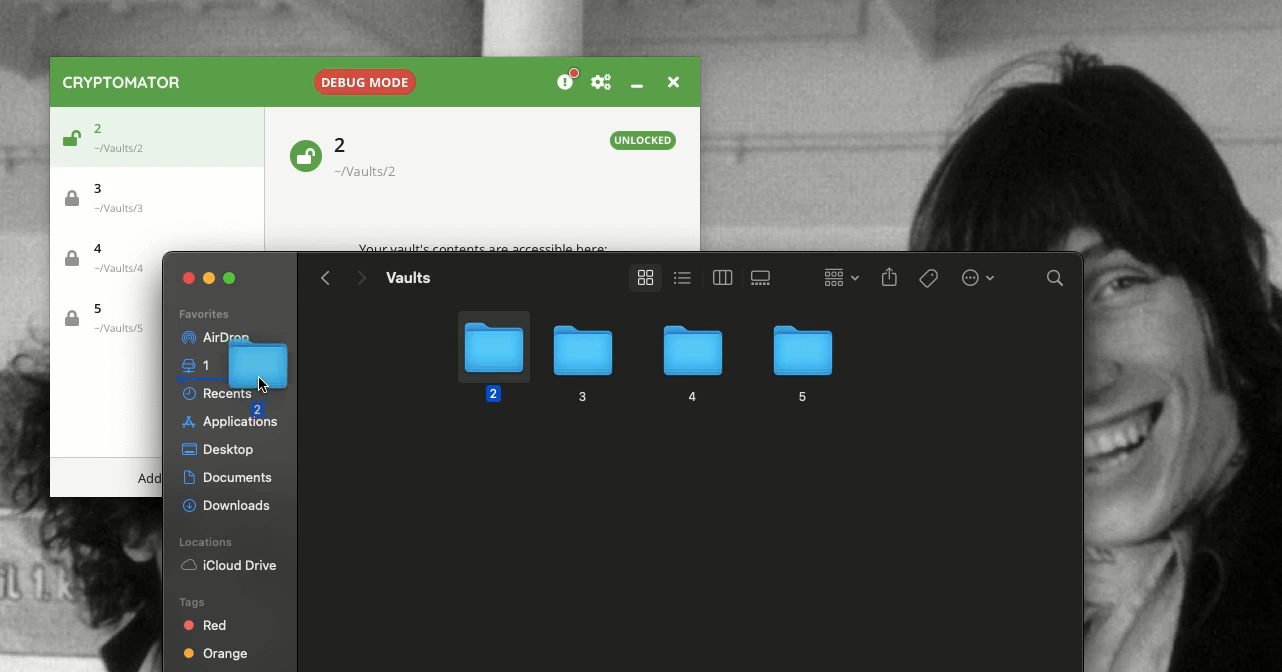 Image resolution: width=1282 pixels, height=672 pixels. What do you see at coordinates (210, 276) in the screenshot?
I see `Minimize` at bounding box center [210, 276].